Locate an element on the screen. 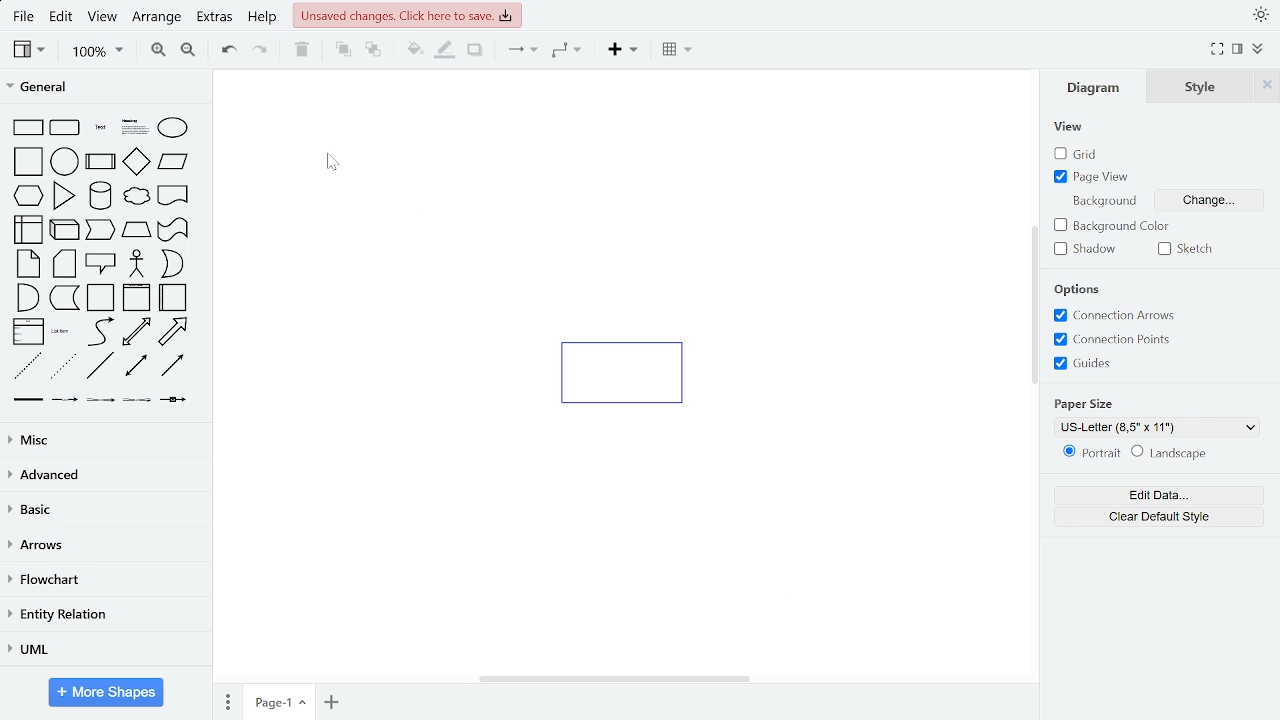 Image resolution: width=1280 pixels, height=720 pixels. horizontal scrollbar is located at coordinates (616, 679).